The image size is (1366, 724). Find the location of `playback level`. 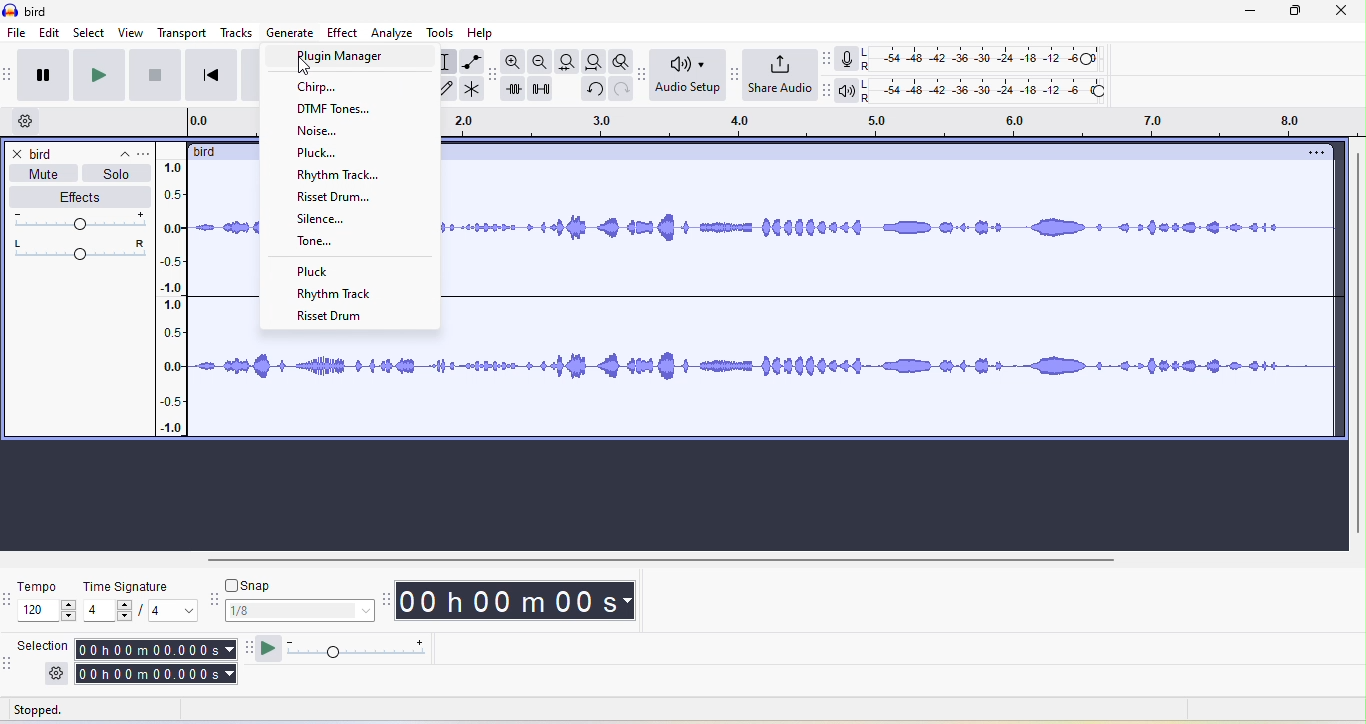

playback level is located at coordinates (991, 92).